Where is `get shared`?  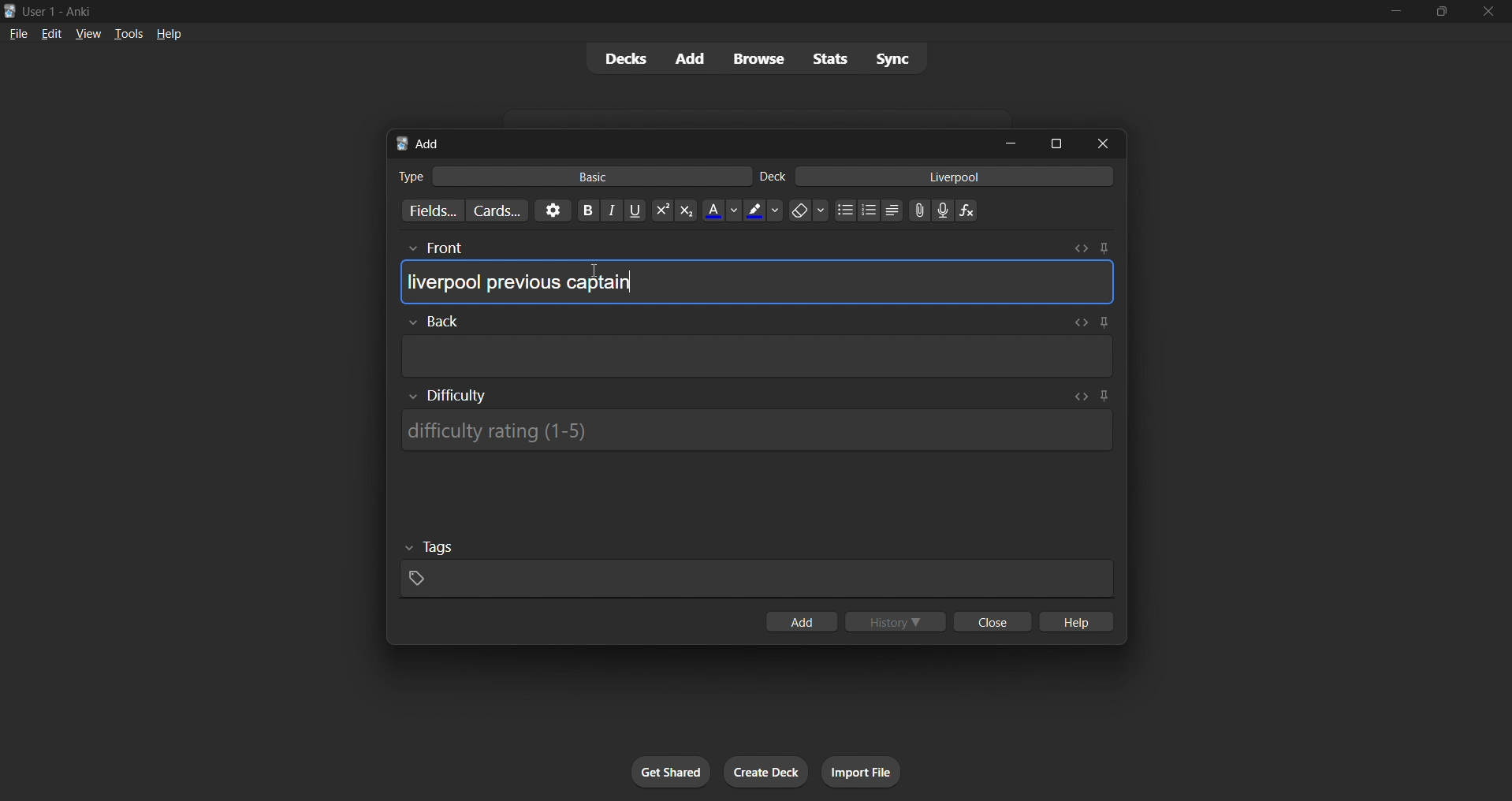 get shared is located at coordinates (672, 773).